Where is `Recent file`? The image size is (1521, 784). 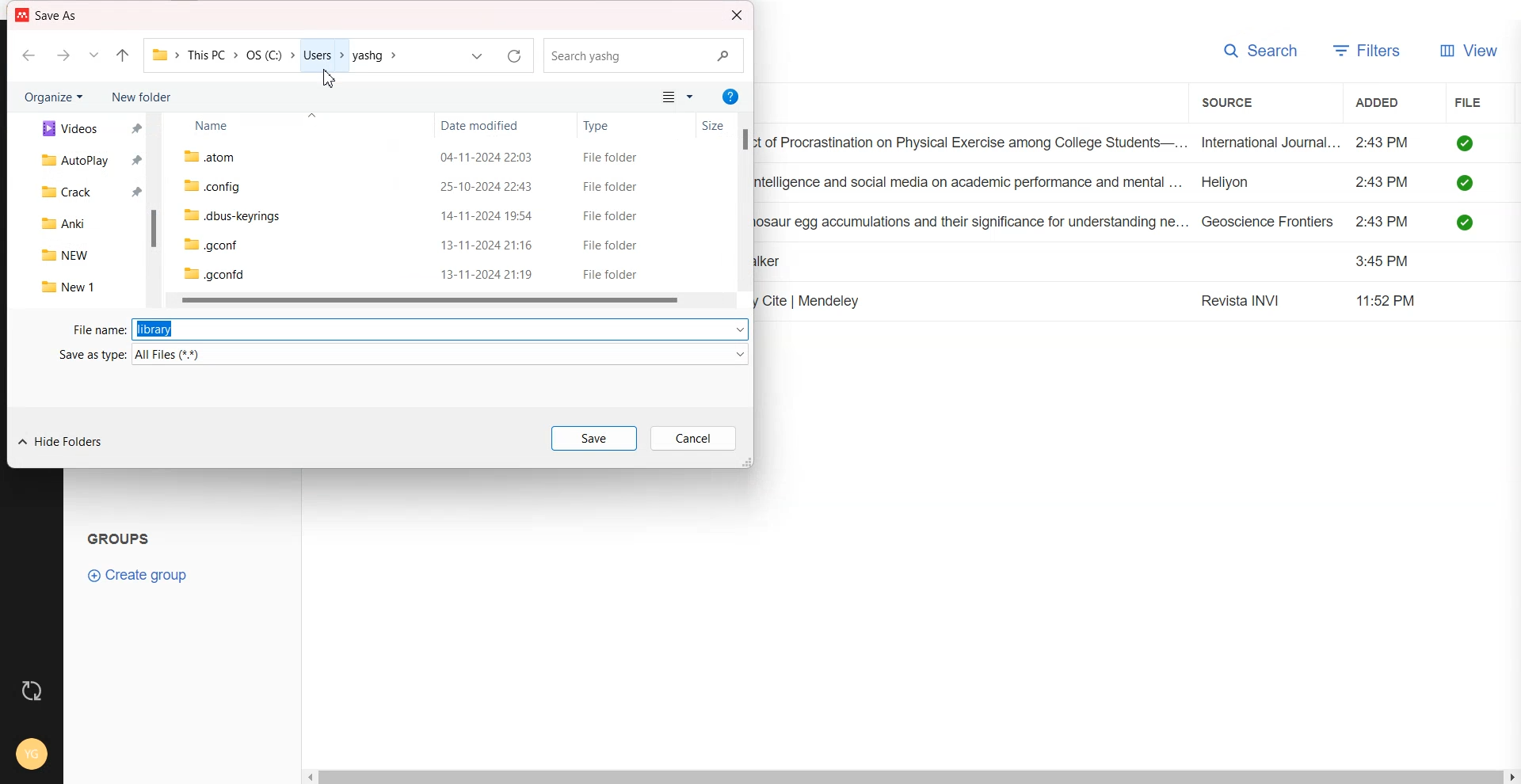
Recent file is located at coordinates (94, 56).